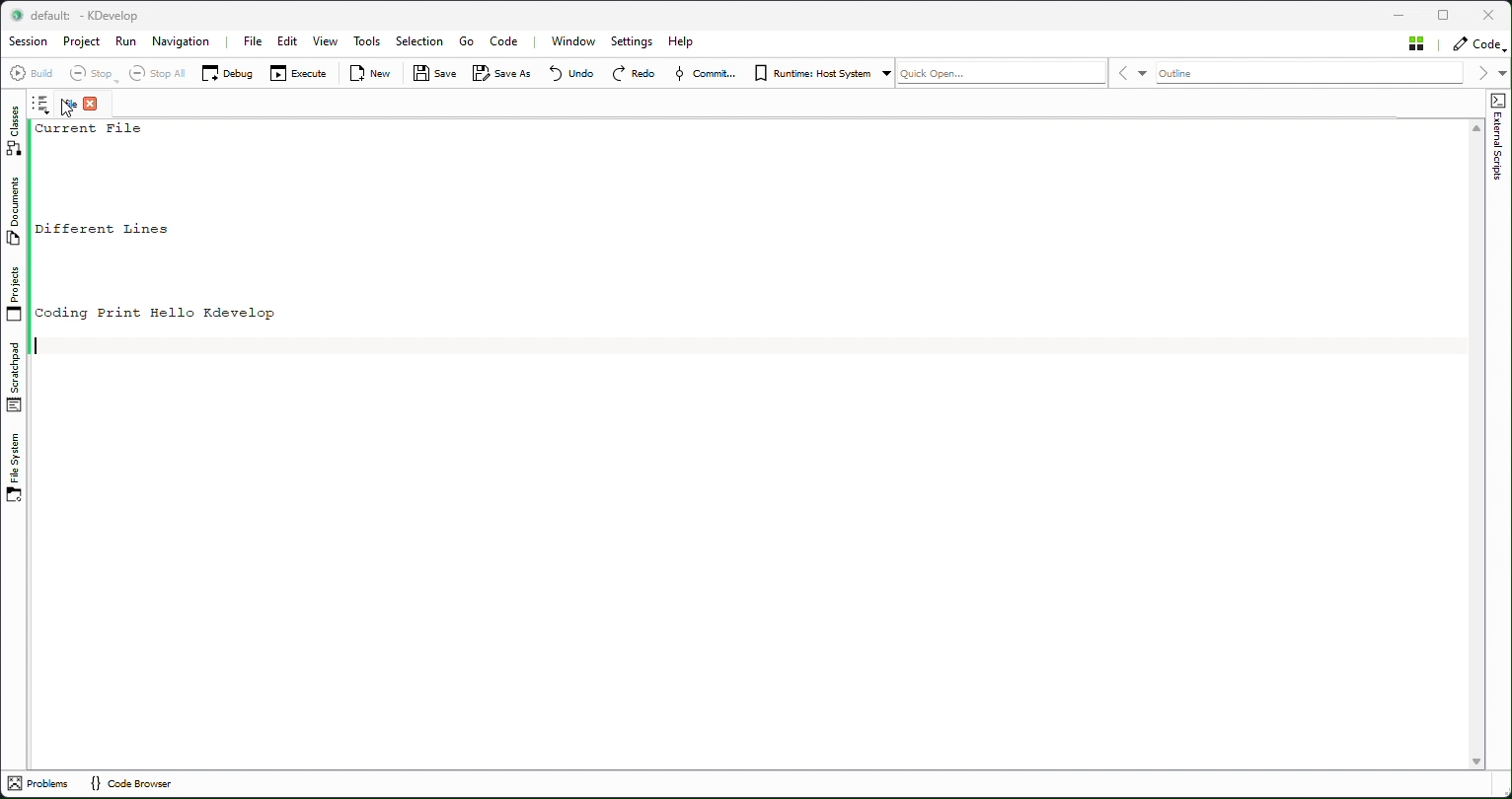 This screenshot has height=799, width=1512. What do you see at coordinates (180, 42) in the screenshot?
I see `Navigation` at bounding box center [180, 42].